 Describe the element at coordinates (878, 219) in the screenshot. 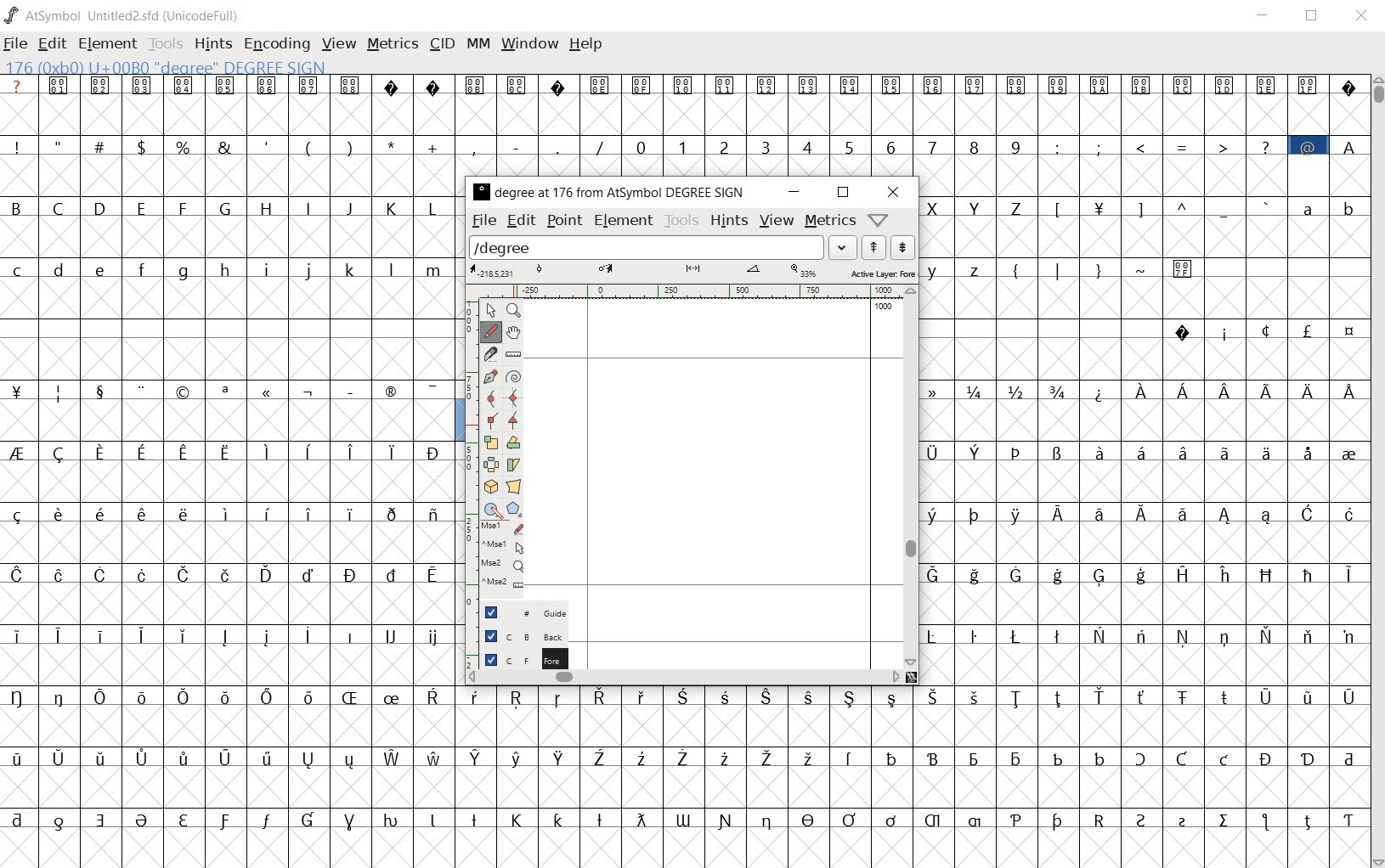

I see `help/window` at that location.